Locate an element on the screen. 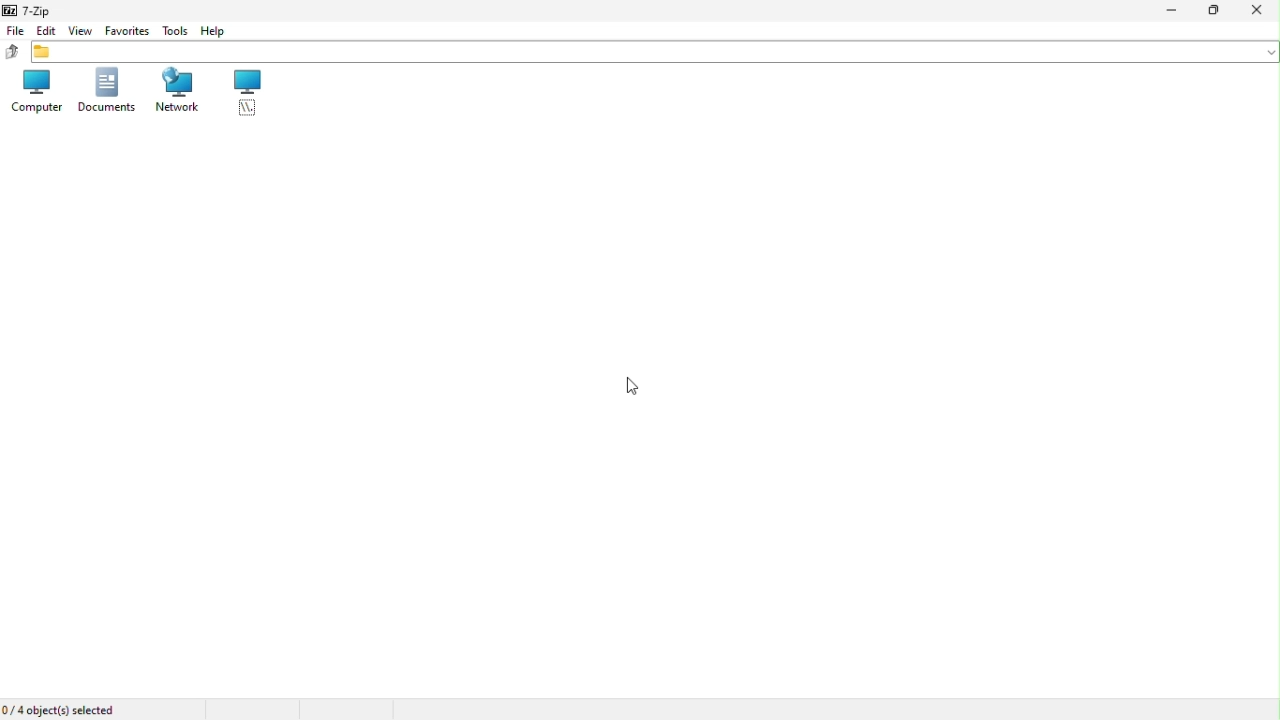 The height and width of the screenshot is (720, 1280). 0/4 object(s) selected is located at coordinates (66, 710).